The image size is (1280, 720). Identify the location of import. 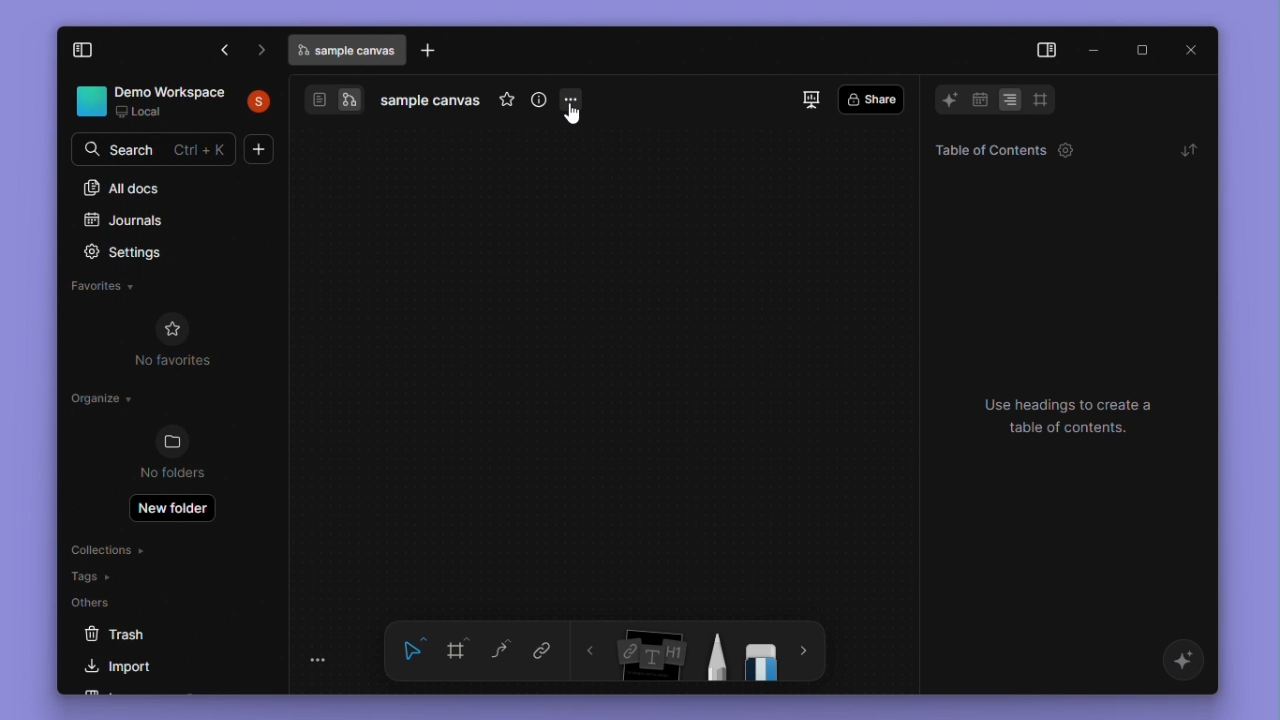
(127, 669).